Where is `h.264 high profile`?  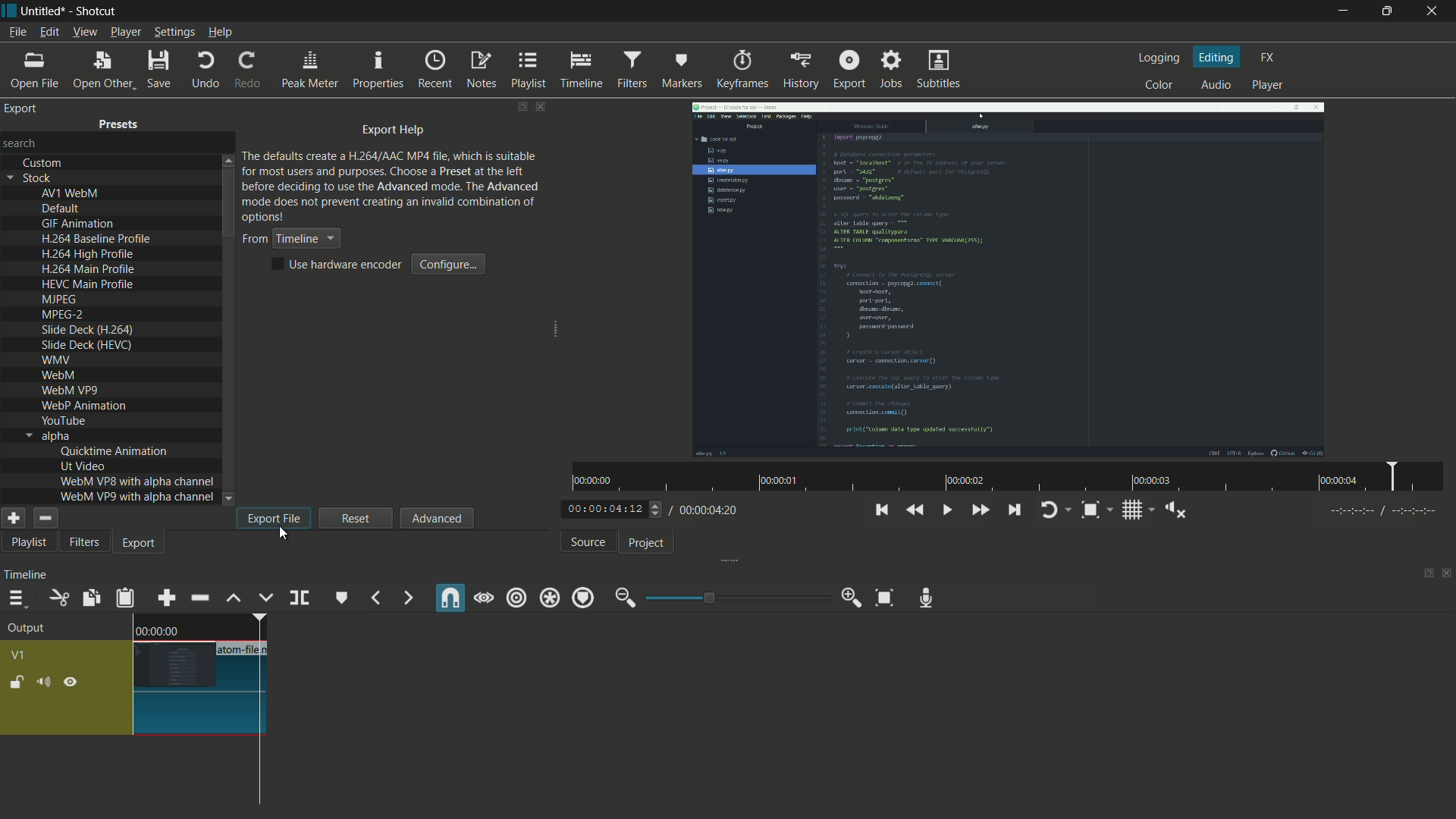
h.264 high profile is located at coordinates (88, 255).